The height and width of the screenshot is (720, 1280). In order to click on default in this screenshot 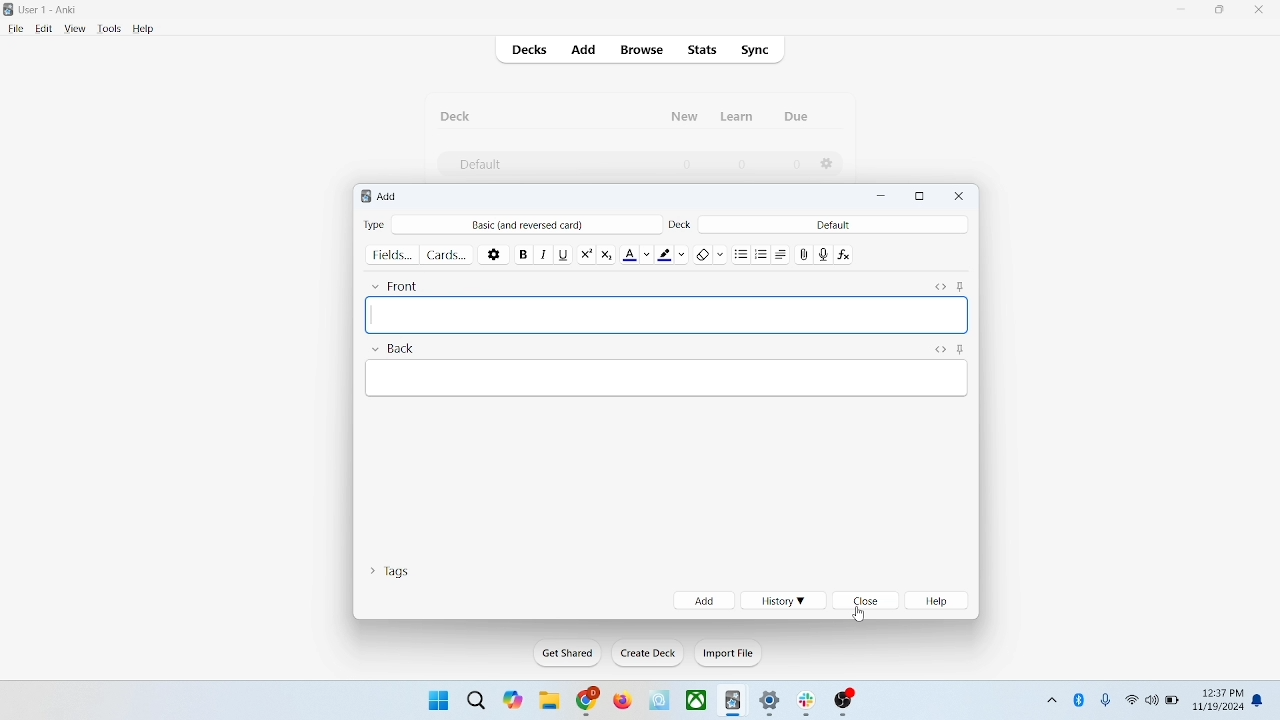, I will do `click(833, 224)`.